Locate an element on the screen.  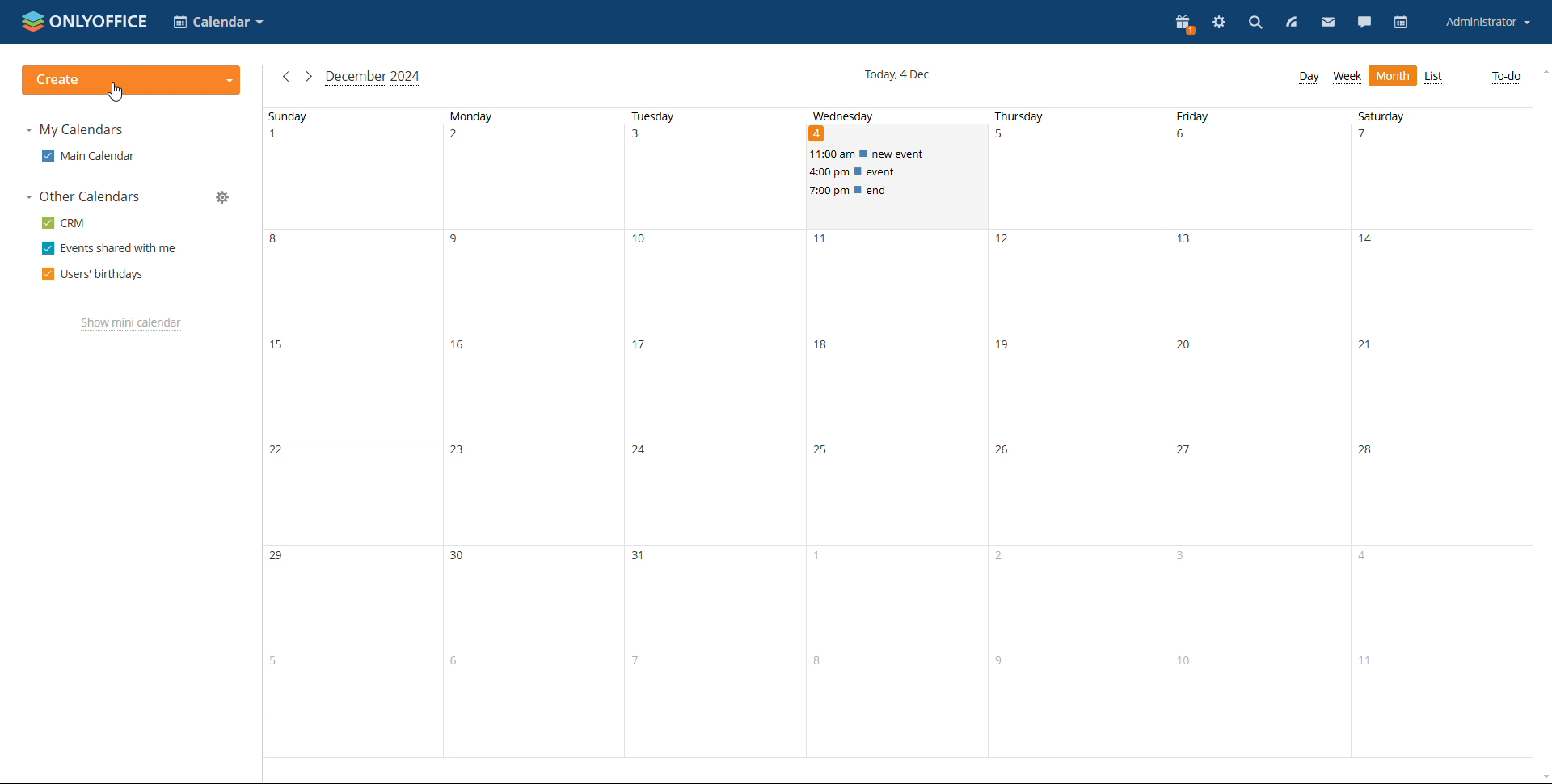
manage is located at coordinates (223, 197).